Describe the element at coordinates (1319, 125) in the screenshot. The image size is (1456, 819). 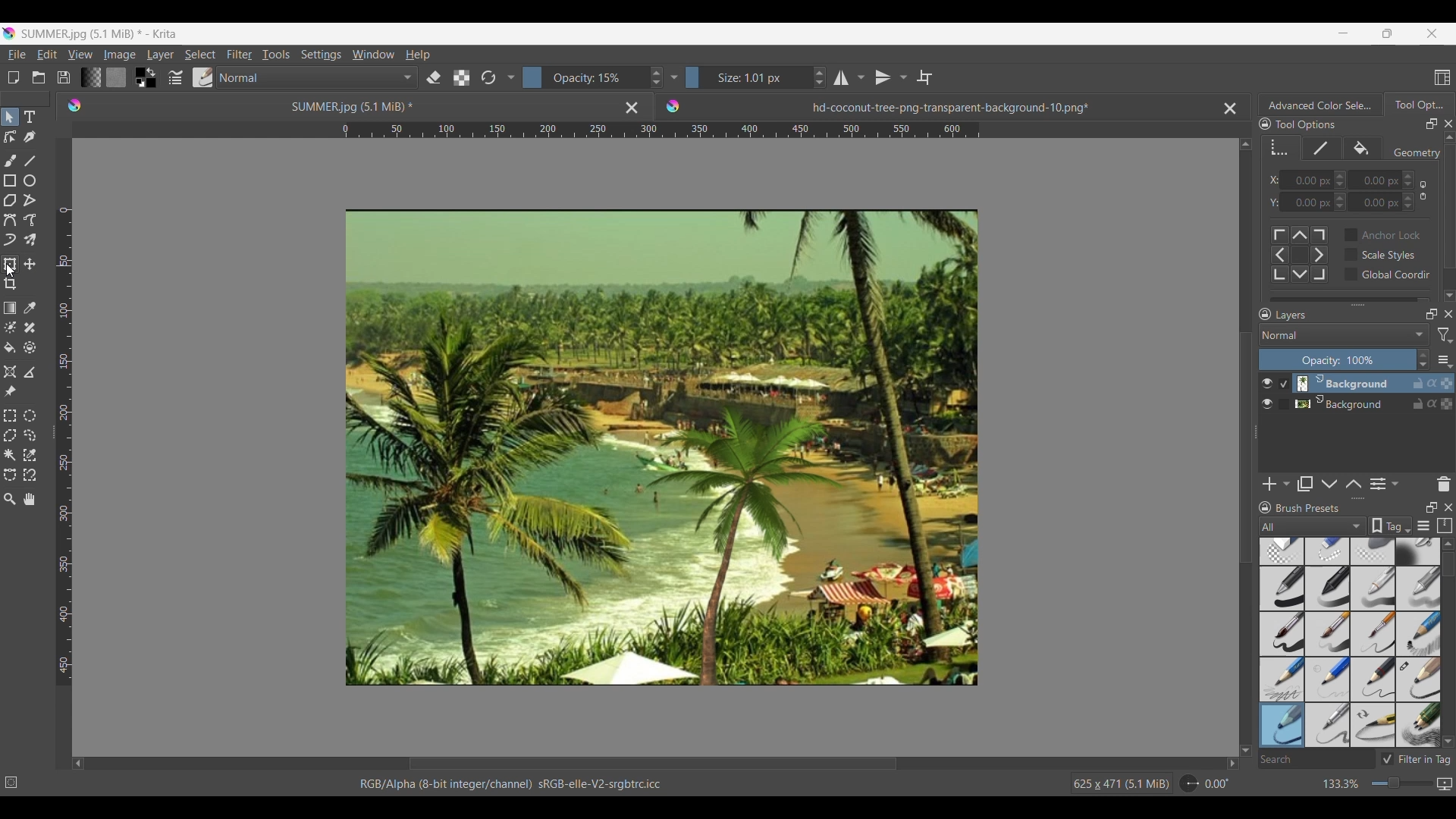
I see `Tool Options` at that location.